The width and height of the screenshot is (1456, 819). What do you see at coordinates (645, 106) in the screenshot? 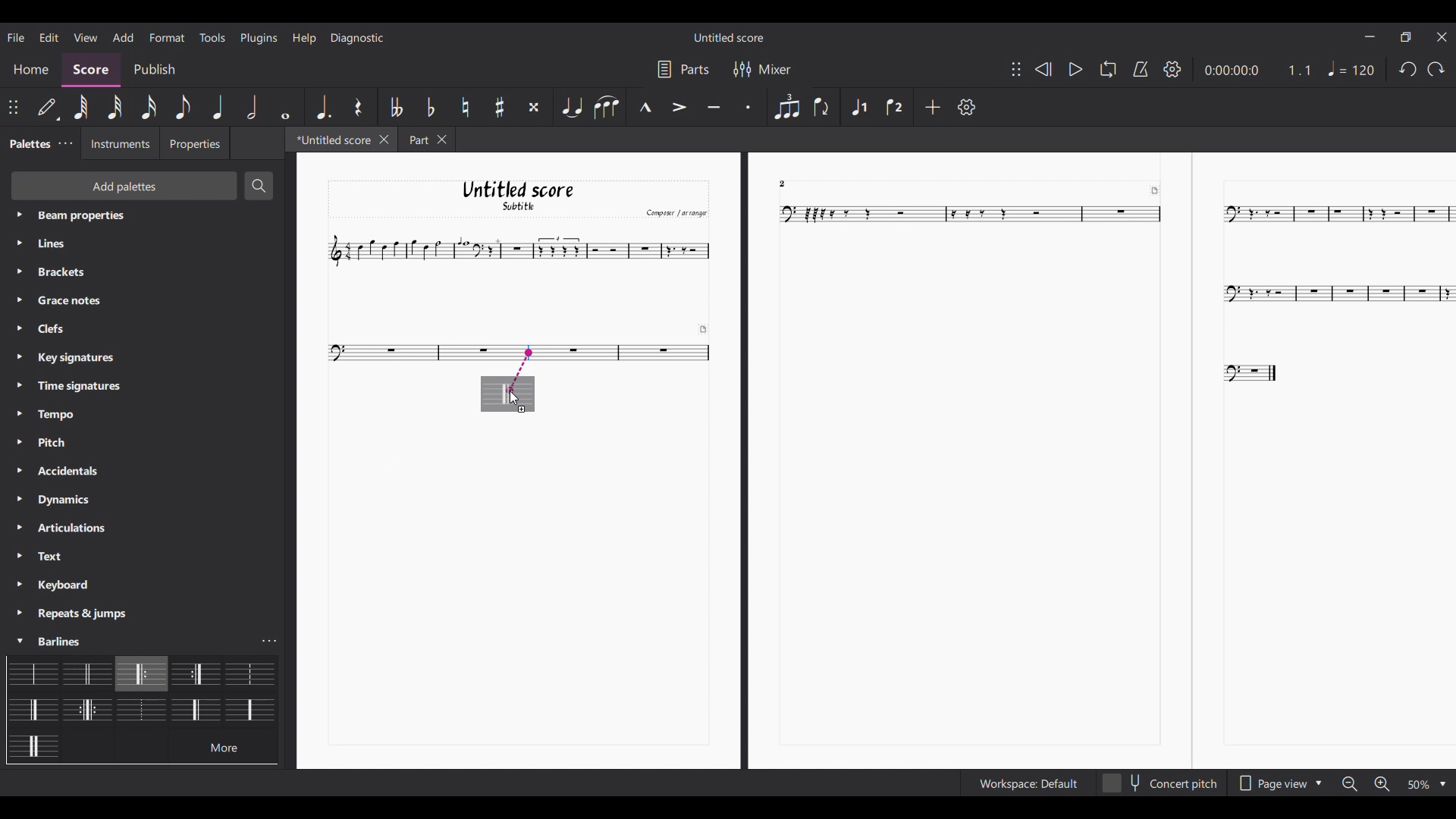
I see `Marcato` at bounding box center [645, 106].